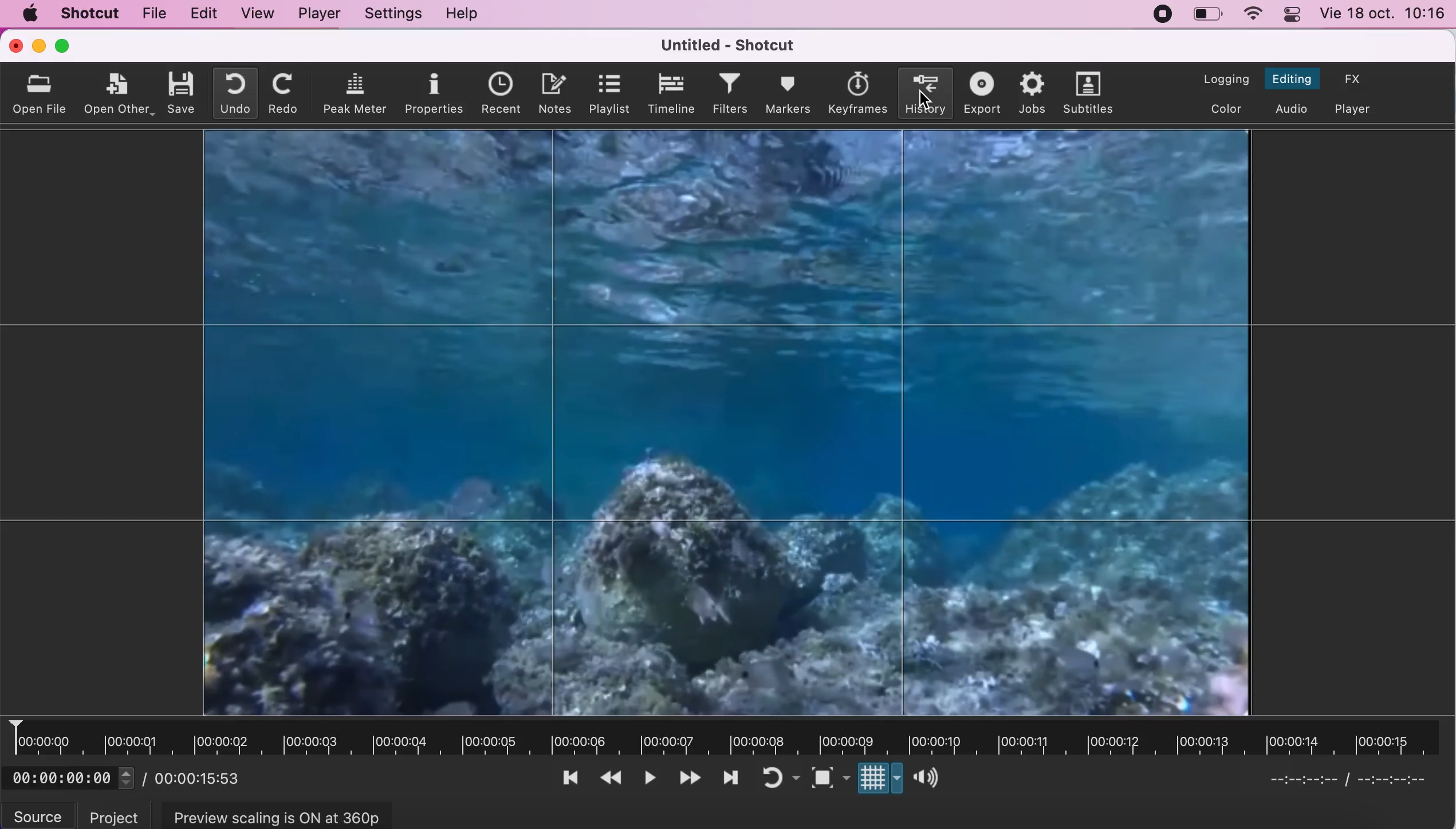  I want to click on wifi, so click(1254, 14).